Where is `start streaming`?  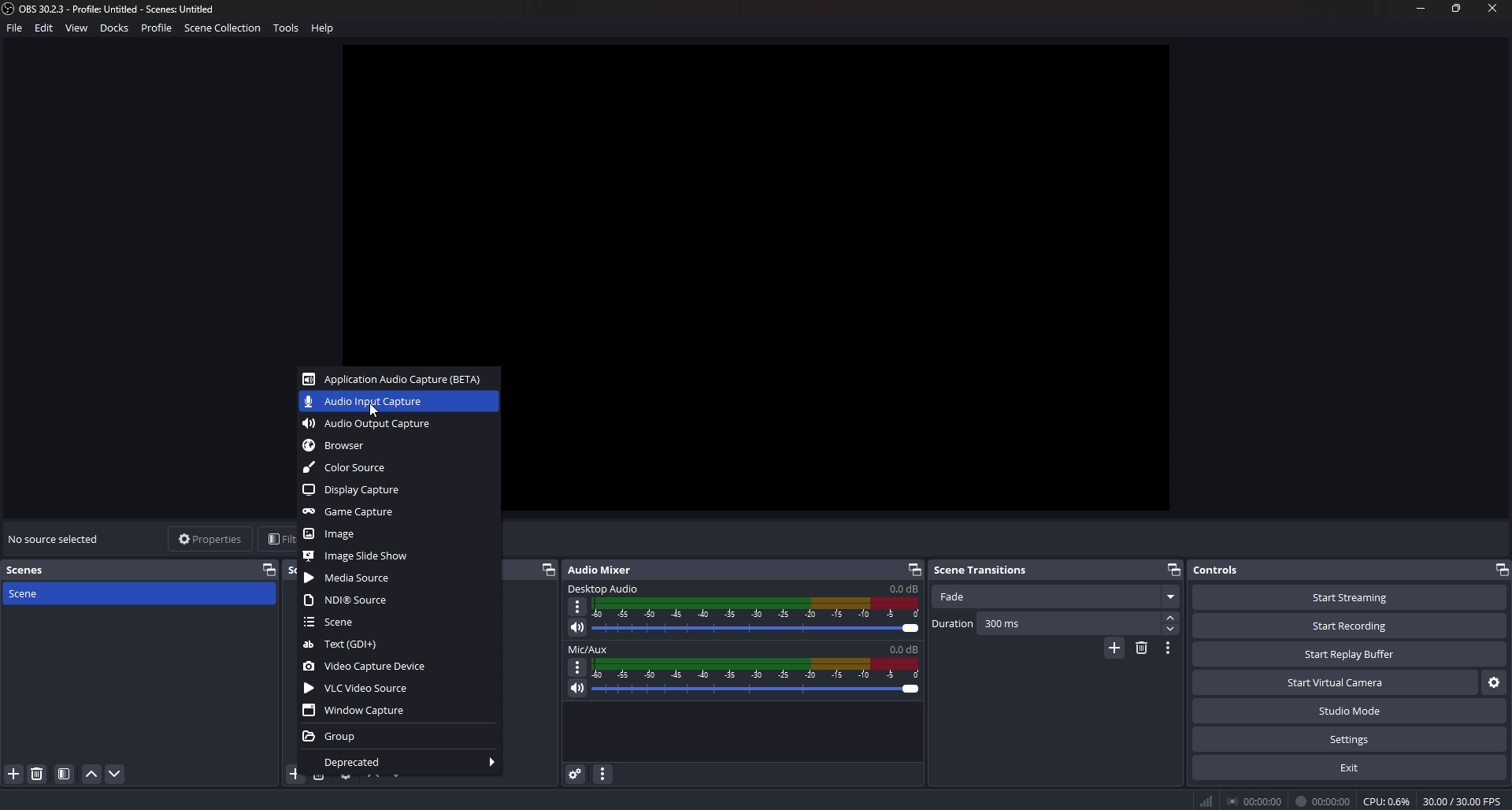 start streaming is located at coordinates (1350, 597).